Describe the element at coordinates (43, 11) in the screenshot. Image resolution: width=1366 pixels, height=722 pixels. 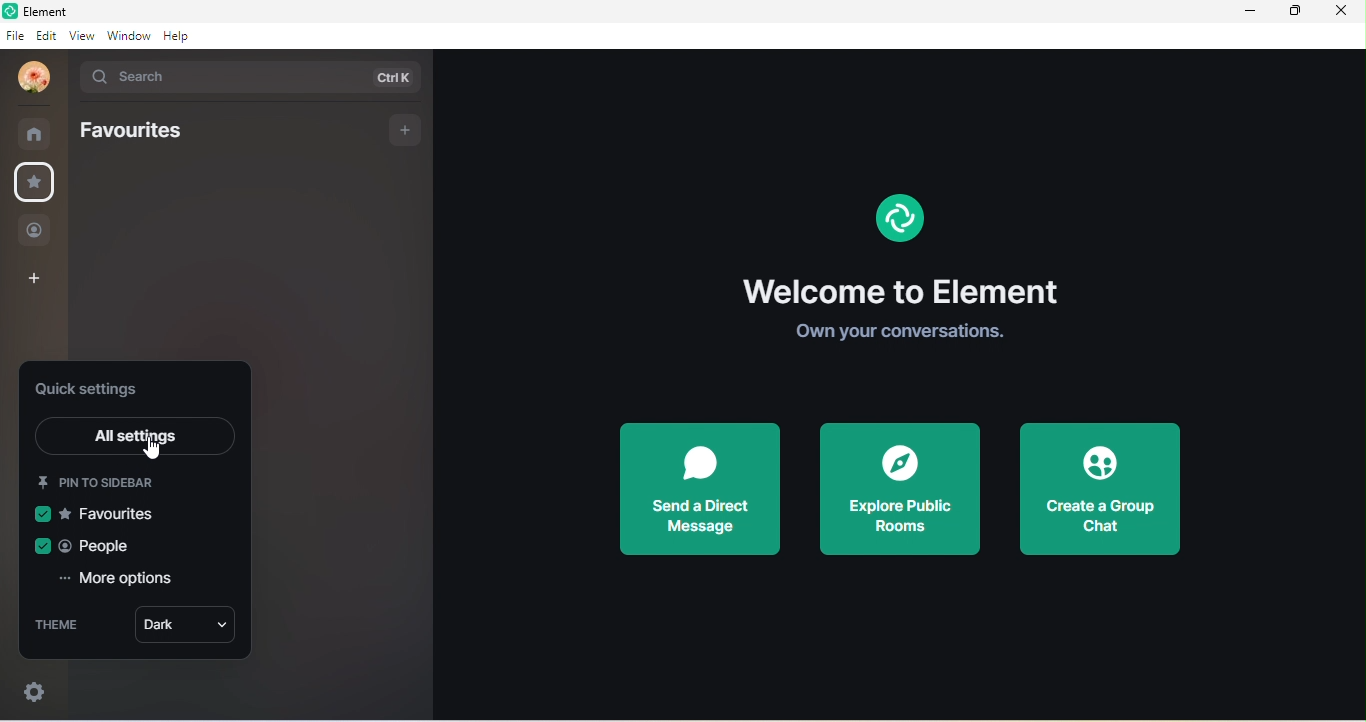
I see `Element` at that location.